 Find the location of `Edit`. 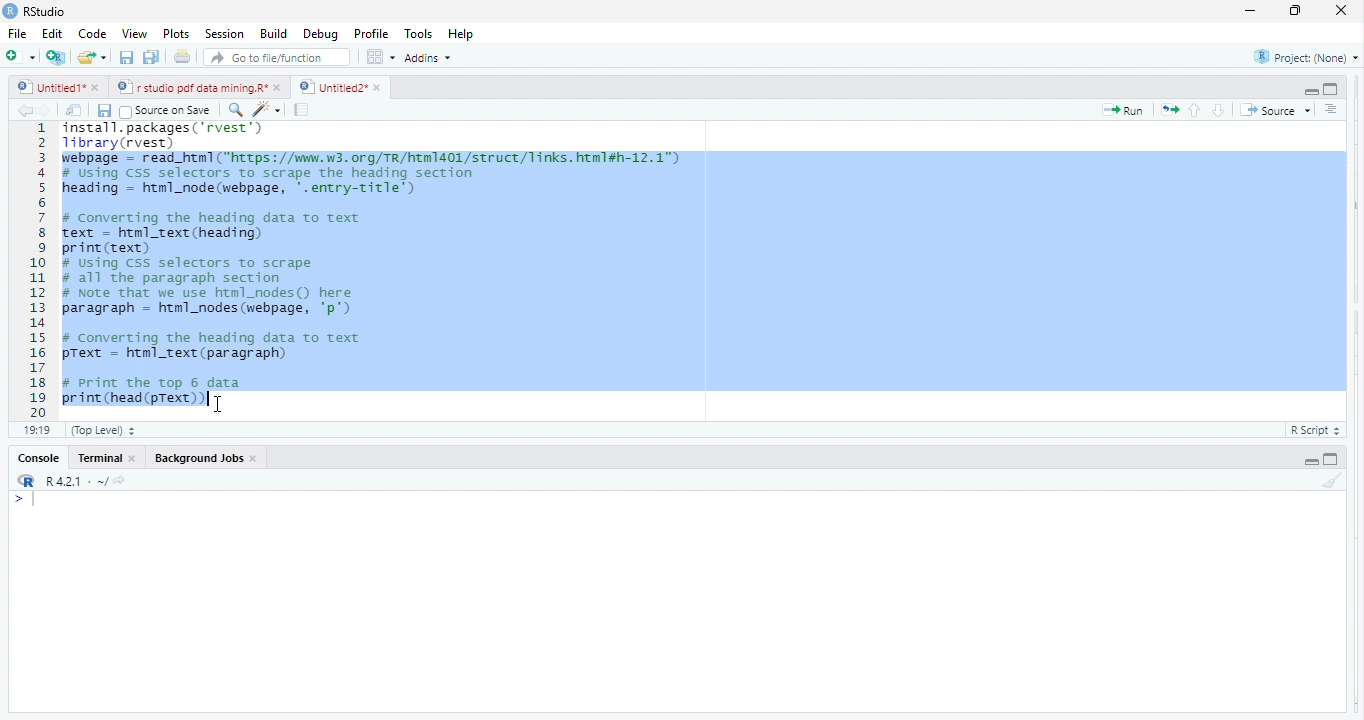

Edit is located at coordinates (53, 33).